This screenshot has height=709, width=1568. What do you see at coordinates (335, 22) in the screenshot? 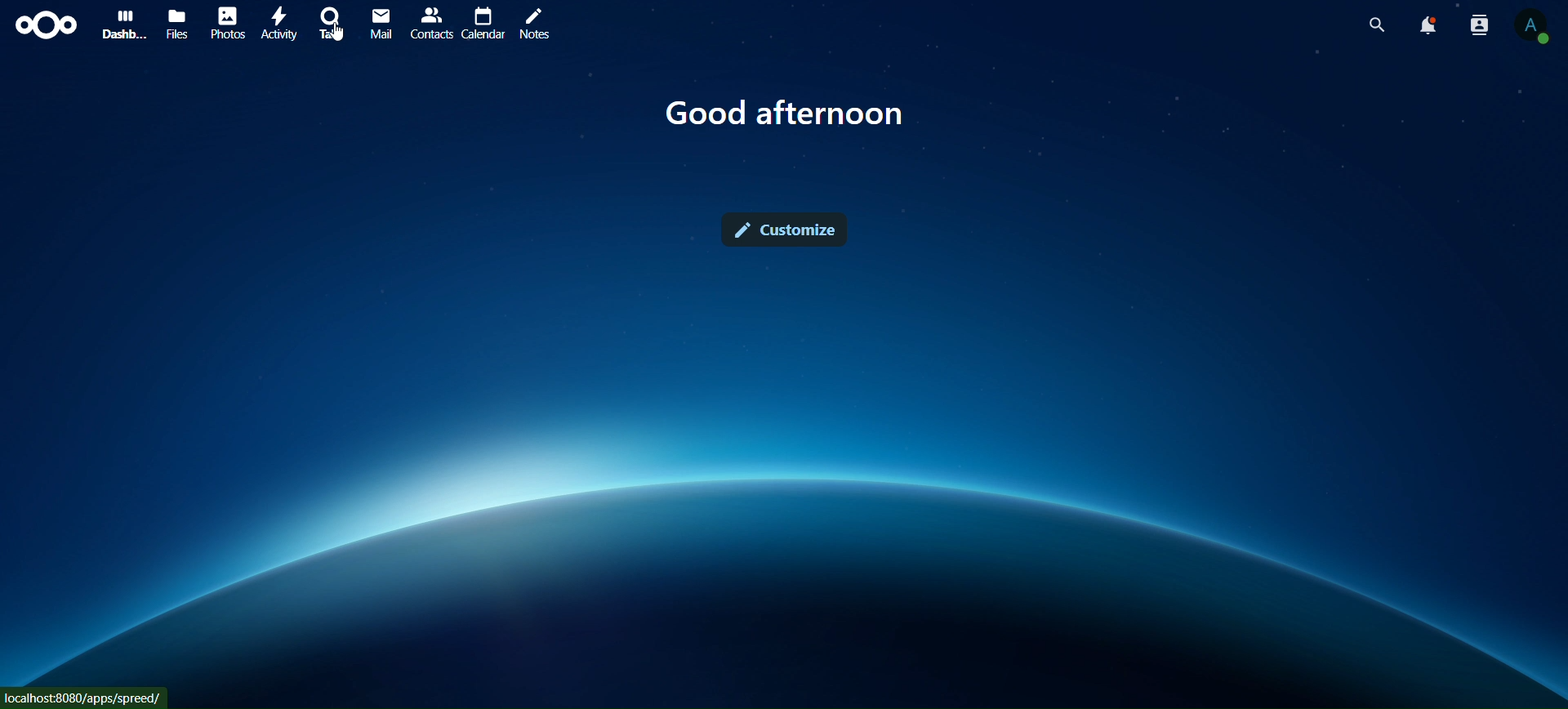
I see `talk` at bounding box center [335, 22].